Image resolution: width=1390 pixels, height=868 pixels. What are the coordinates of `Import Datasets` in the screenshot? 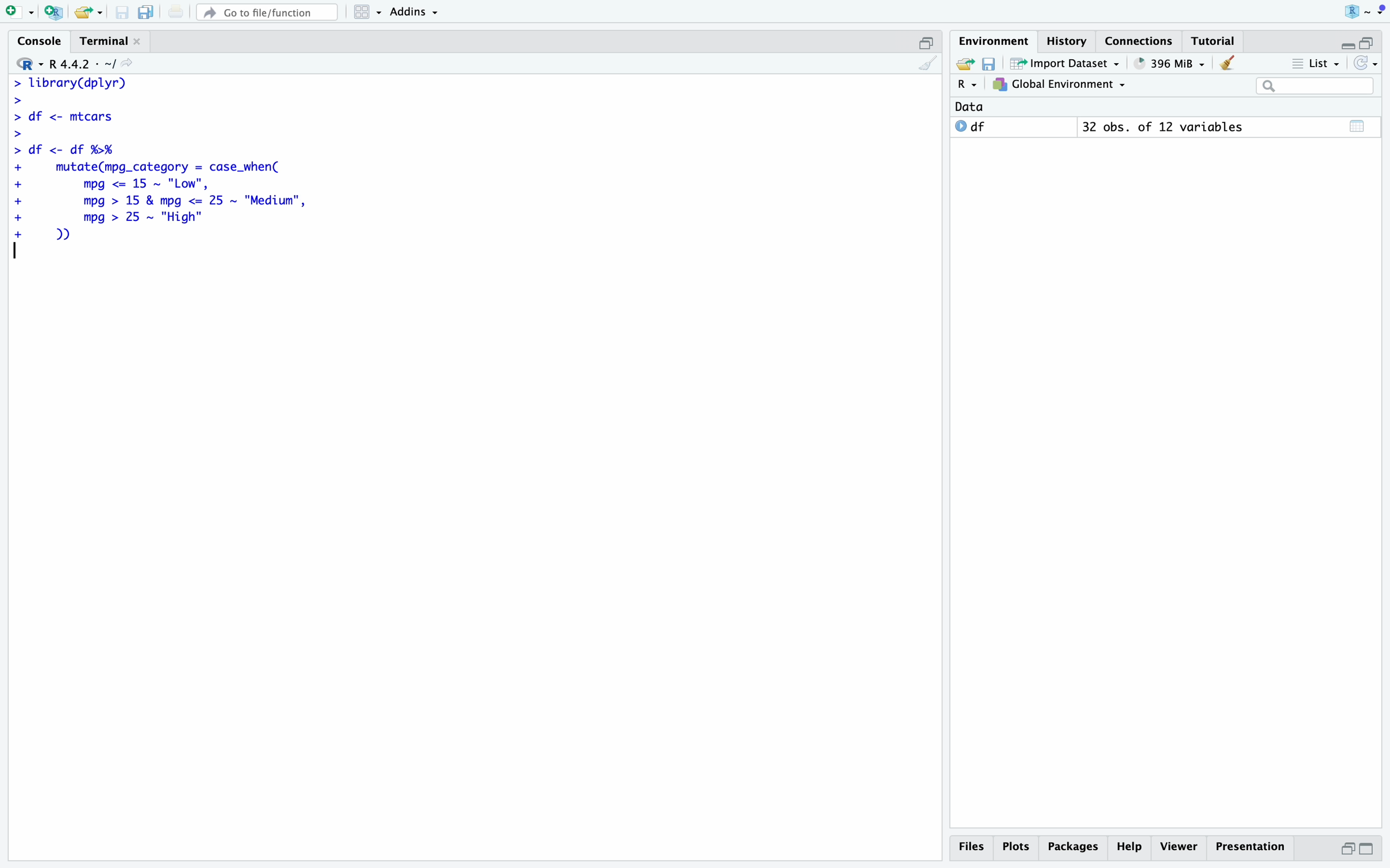 It's located at (1065, 63).